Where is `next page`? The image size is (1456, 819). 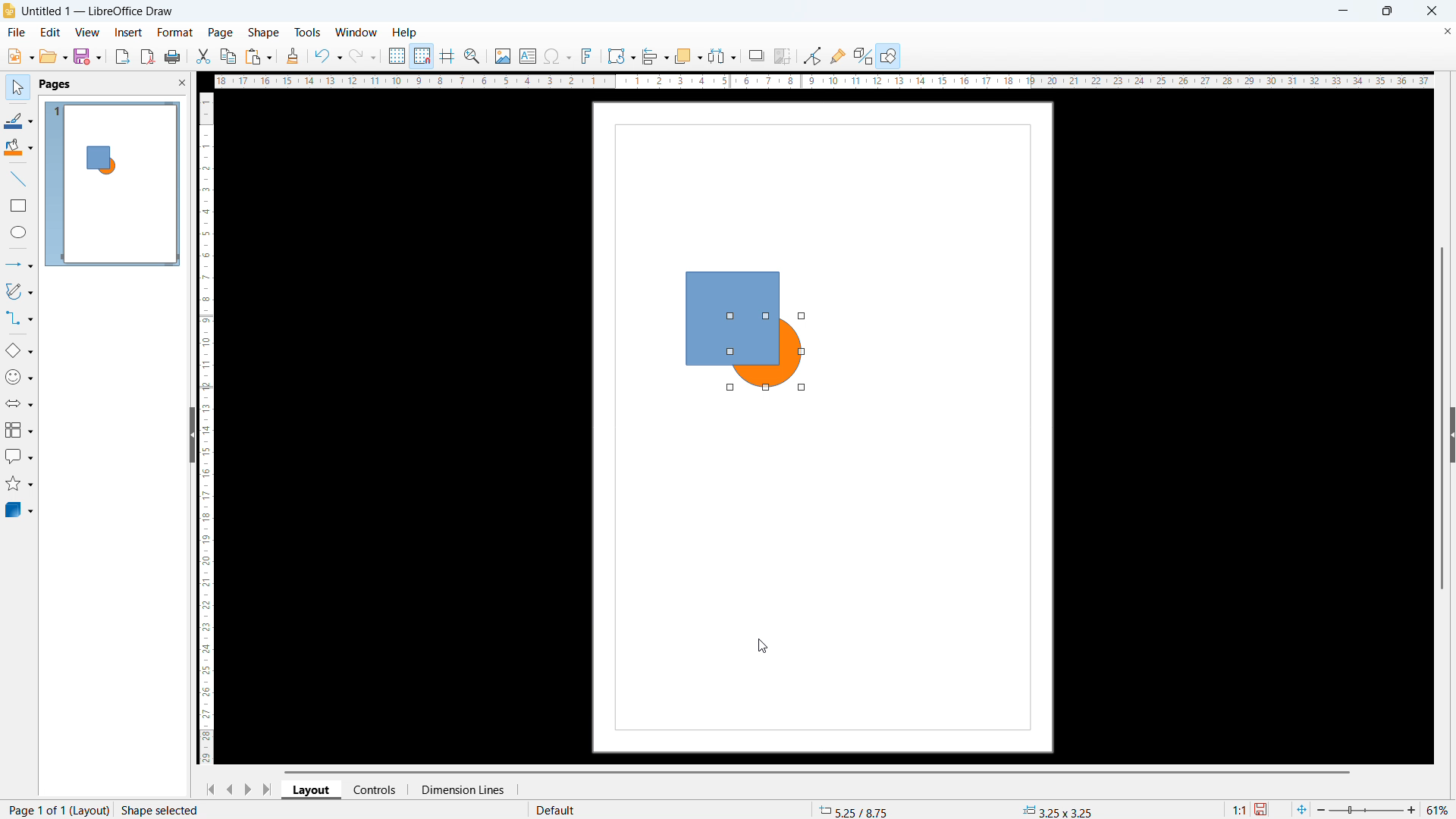 next page is located at coordinates (247, 789).